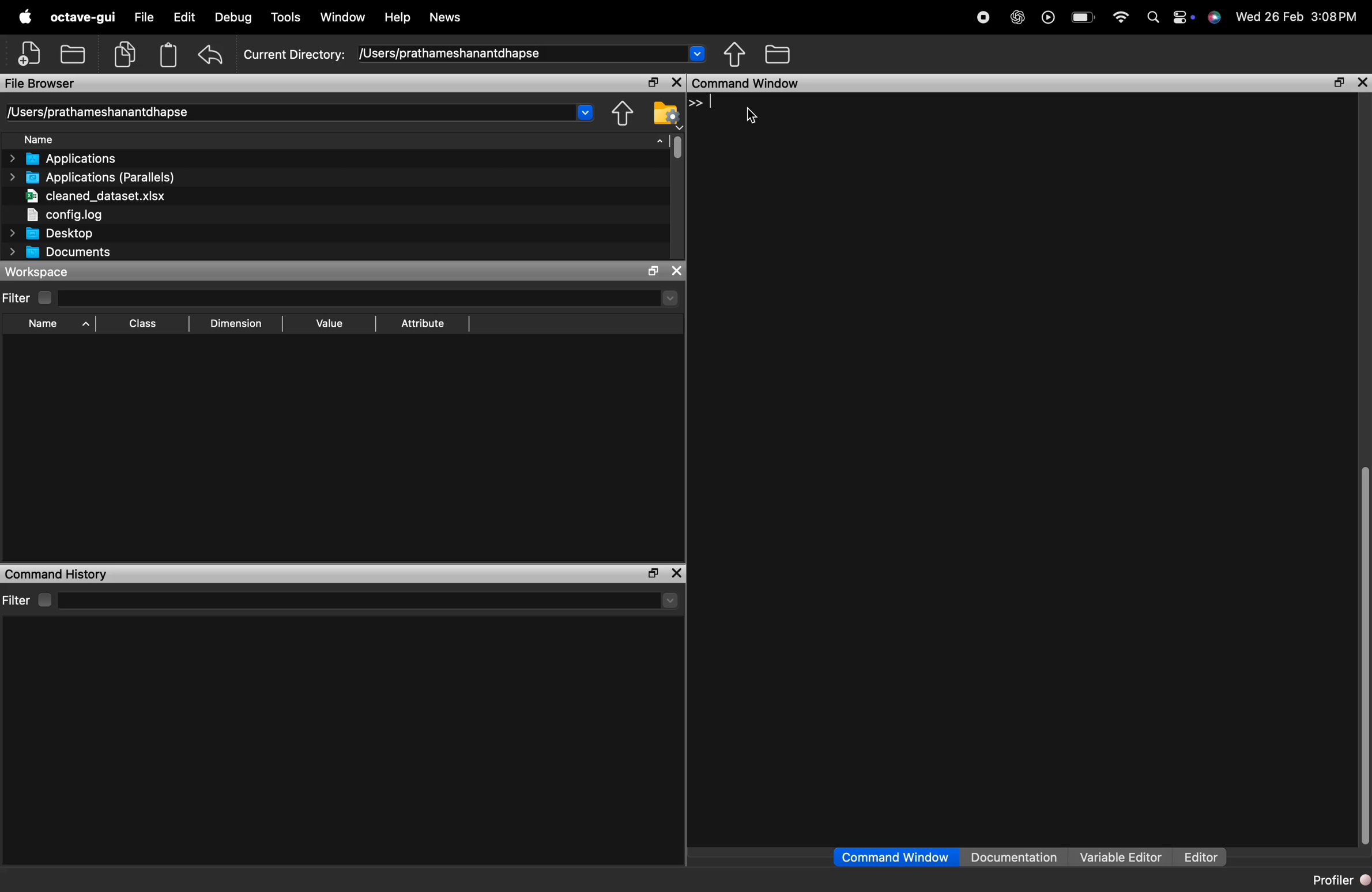 The height and width of the screenshot is (892, 1372). What do you see at coordinates (293, 55) in the screenshot?
I see `Current Directory:` at bounding box center [293, 55].